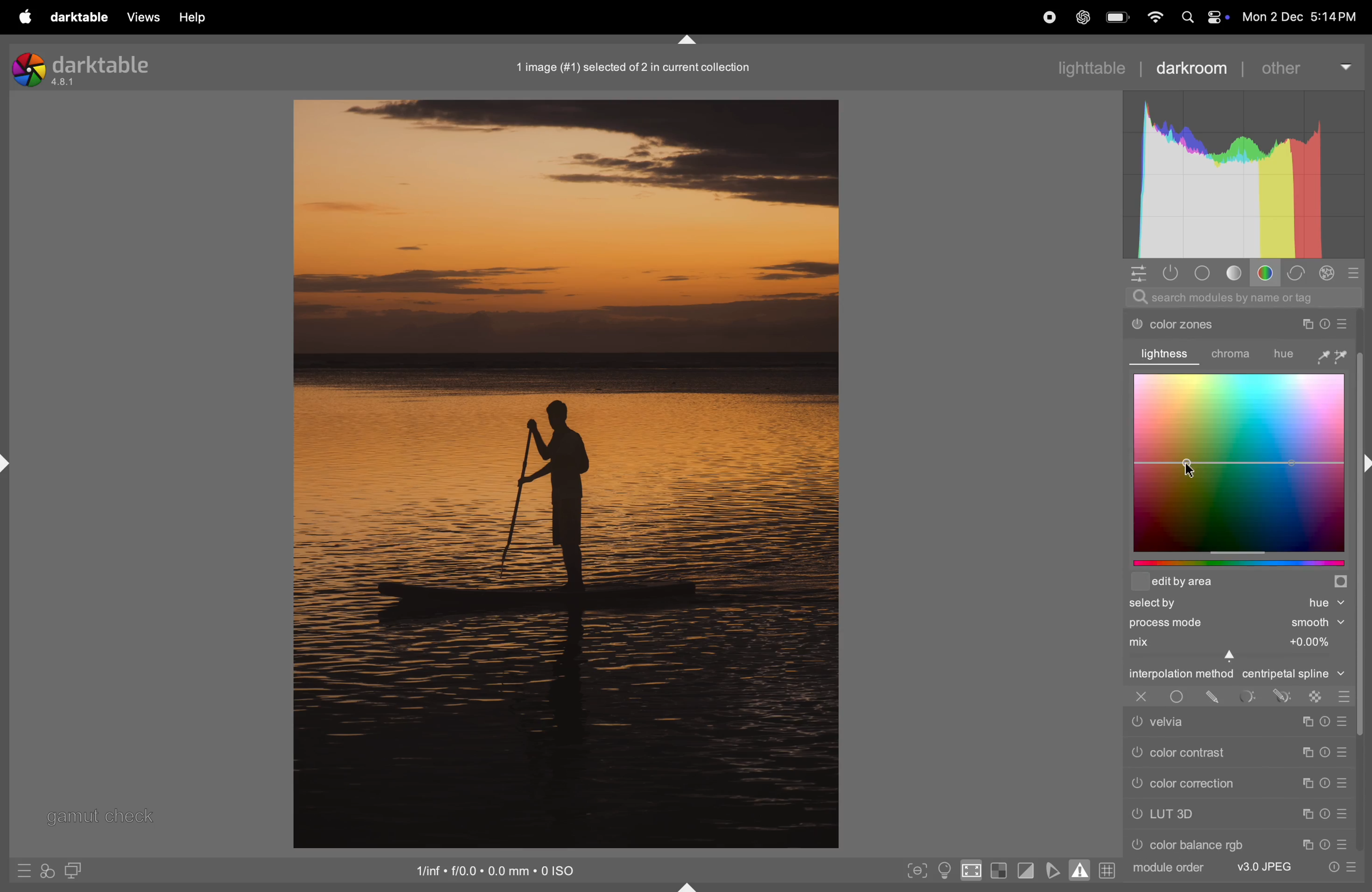 The width and height of the screenshot is (1372, 892). What do you see at coordinates (1283, 696) in the screenshot?
I see `` at bounding box center [1283, 696].